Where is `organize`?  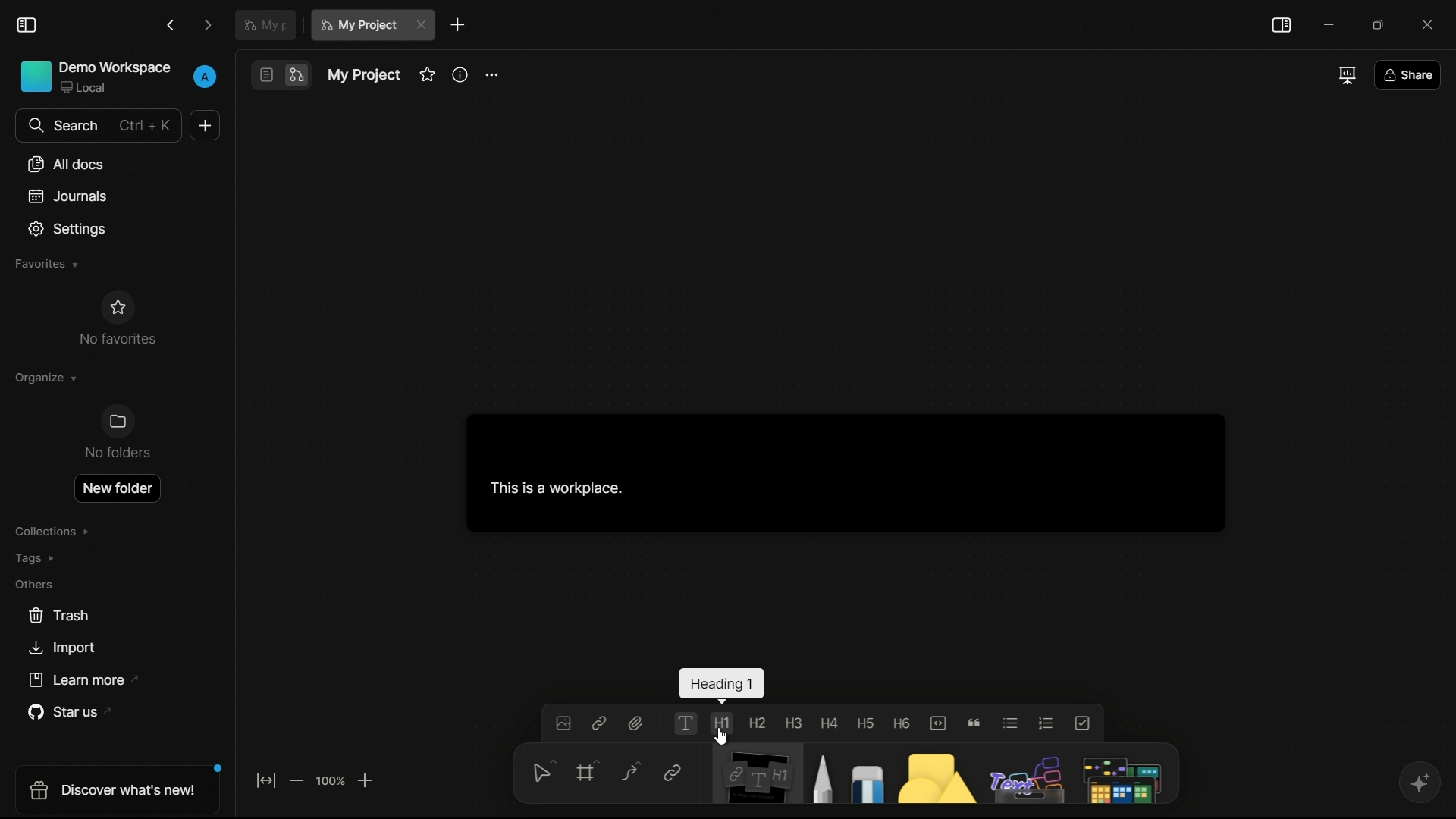
organize is located at coordinates (49, 377).